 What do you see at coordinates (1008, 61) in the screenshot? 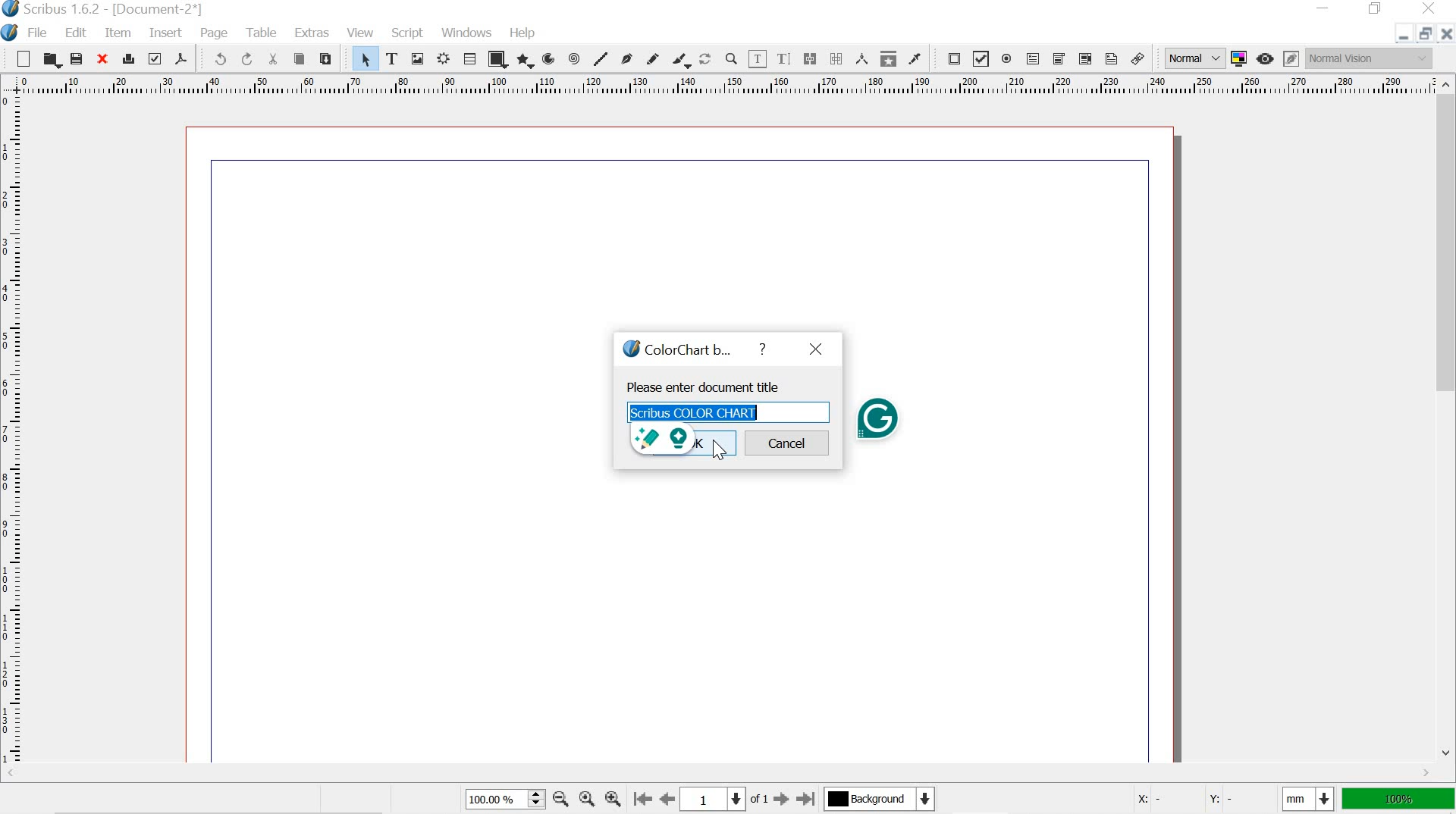
I see `pdf radio button` at bounding box center [1008, 61].